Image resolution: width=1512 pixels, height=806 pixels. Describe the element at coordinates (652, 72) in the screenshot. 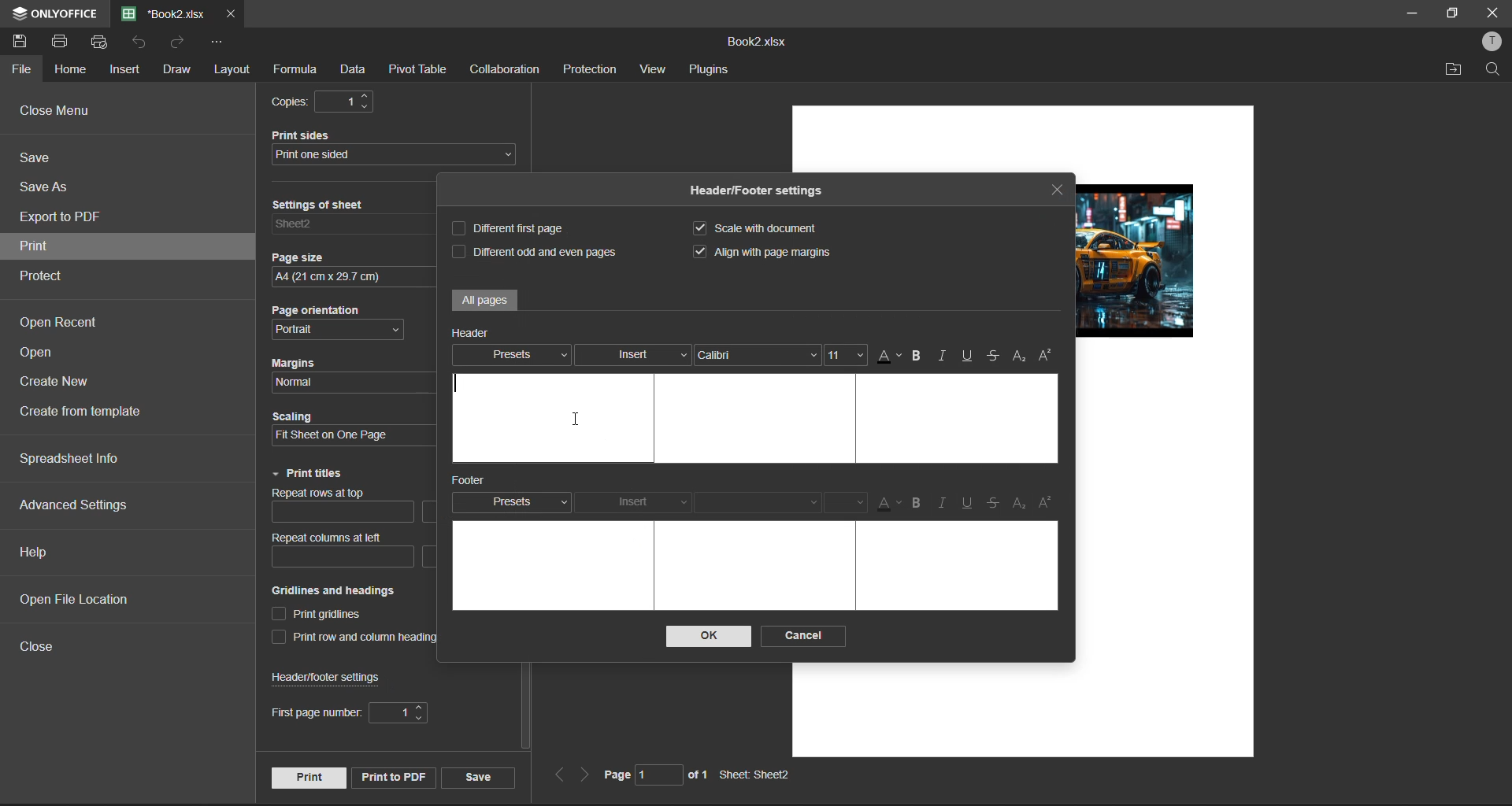

I see `view` at that location.